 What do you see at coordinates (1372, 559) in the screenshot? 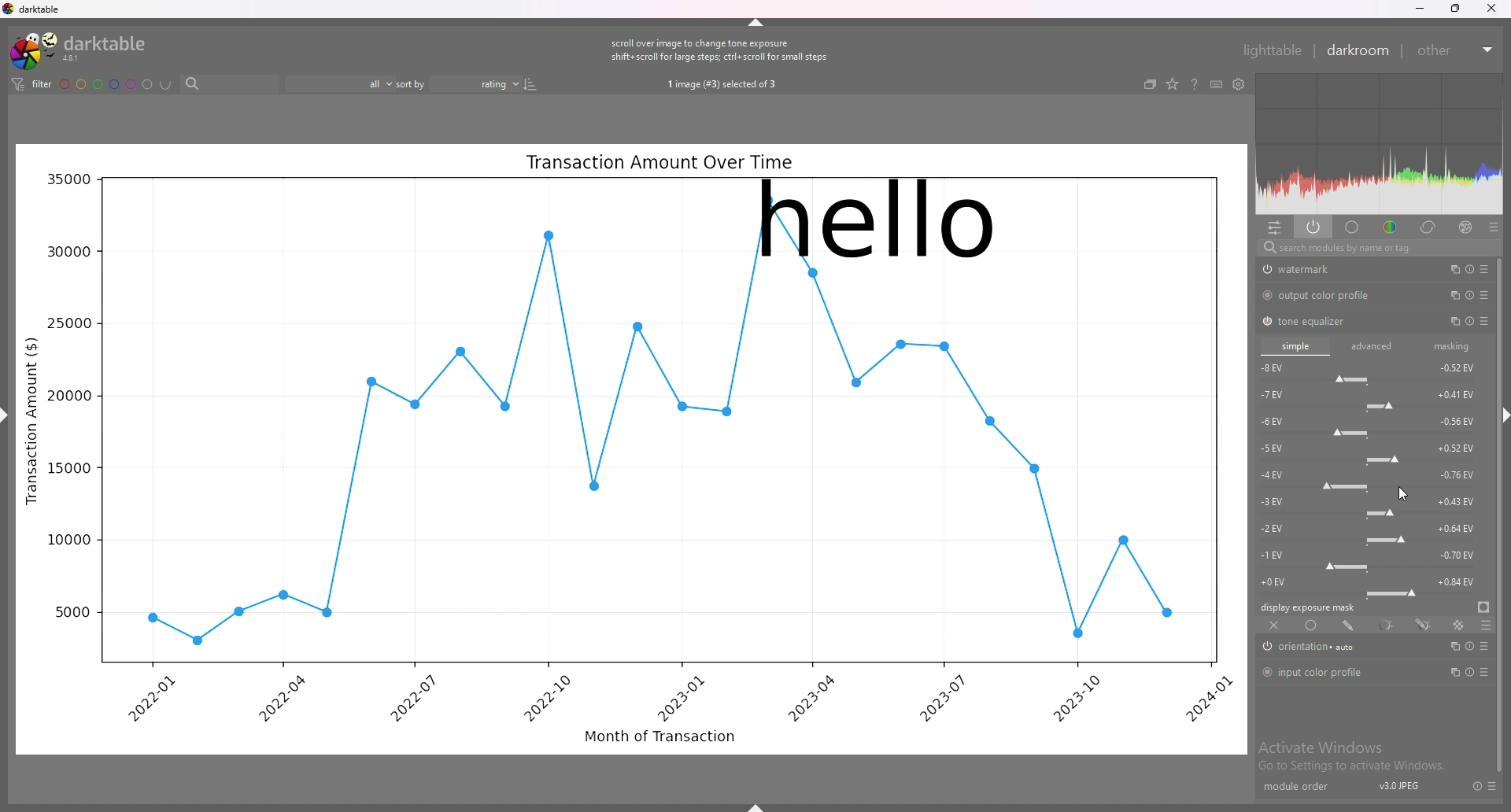
I see `-1 EV force` at bounding box center [1372, 559].